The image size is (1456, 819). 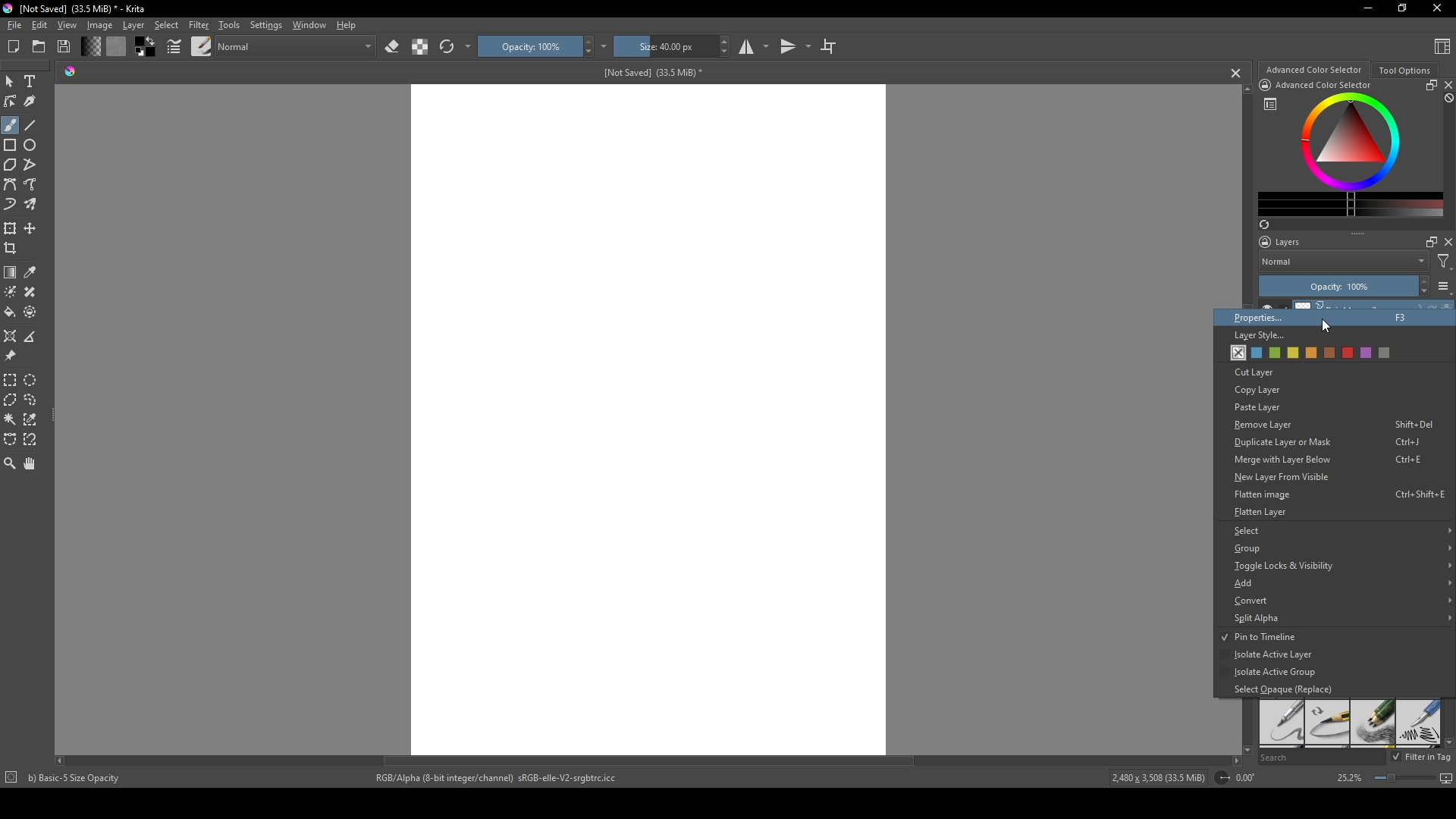 What do you see at coordinates (39, 47) in the screenshot?
I see `folder` at bounding box center [39, 47].